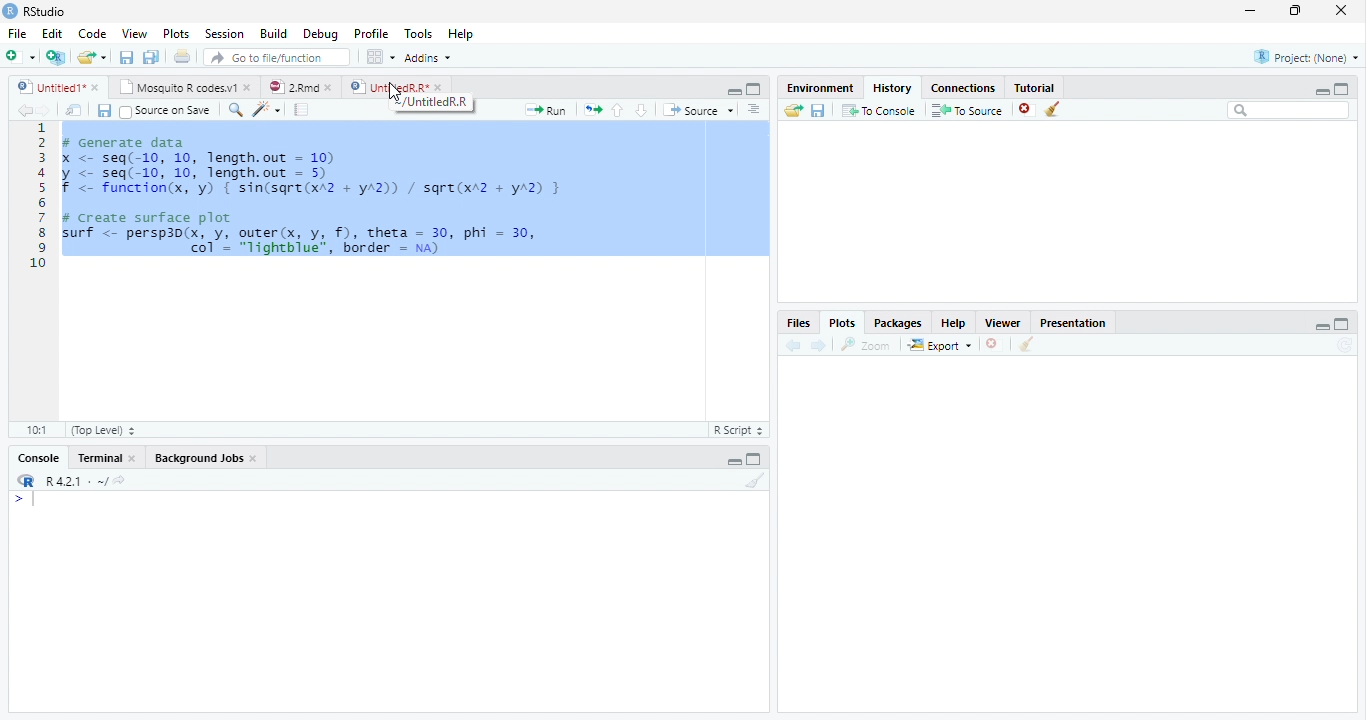  I want to click on Previous plot, so click(793, 345).